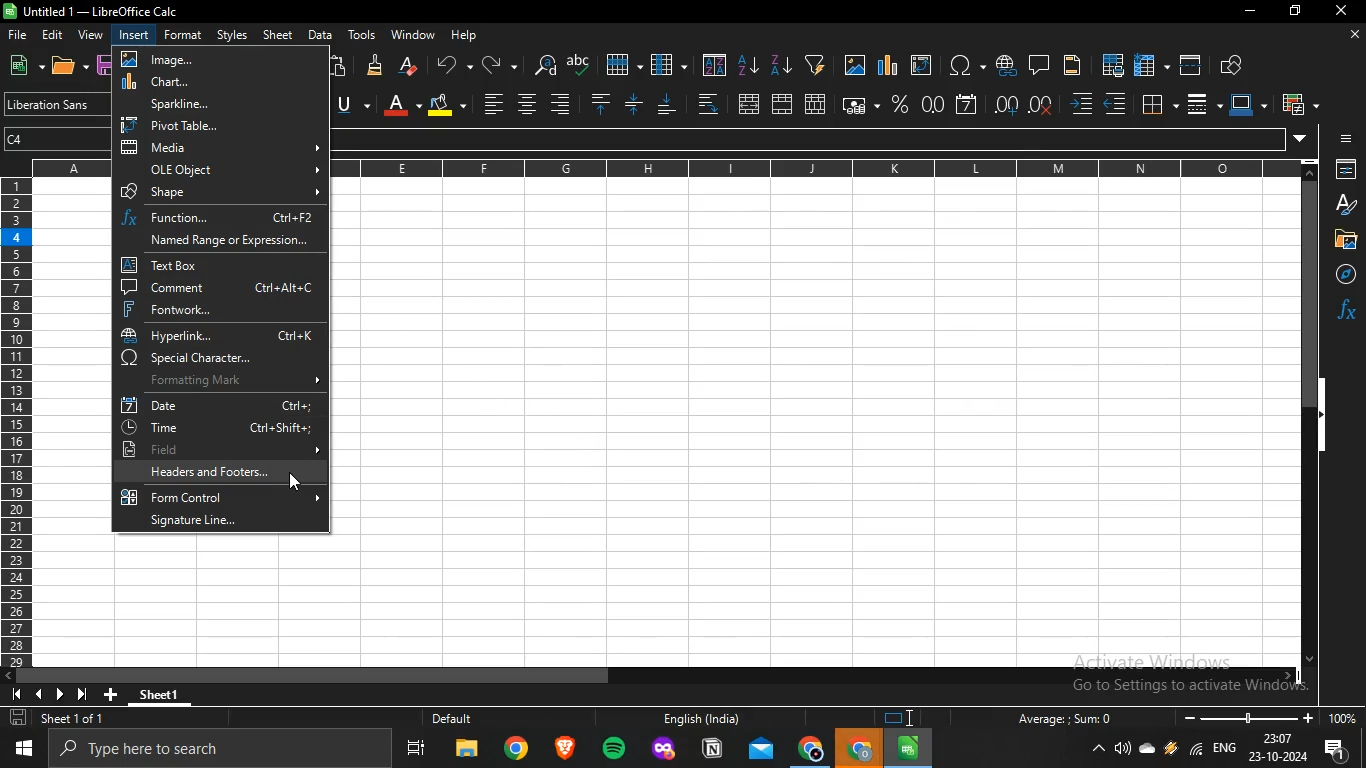 The width and height of the screenshot is (1366, 768). What do you see at coordinates (212, 265) in the screenshot?
I see `text box` at bounding box center [212, 265].